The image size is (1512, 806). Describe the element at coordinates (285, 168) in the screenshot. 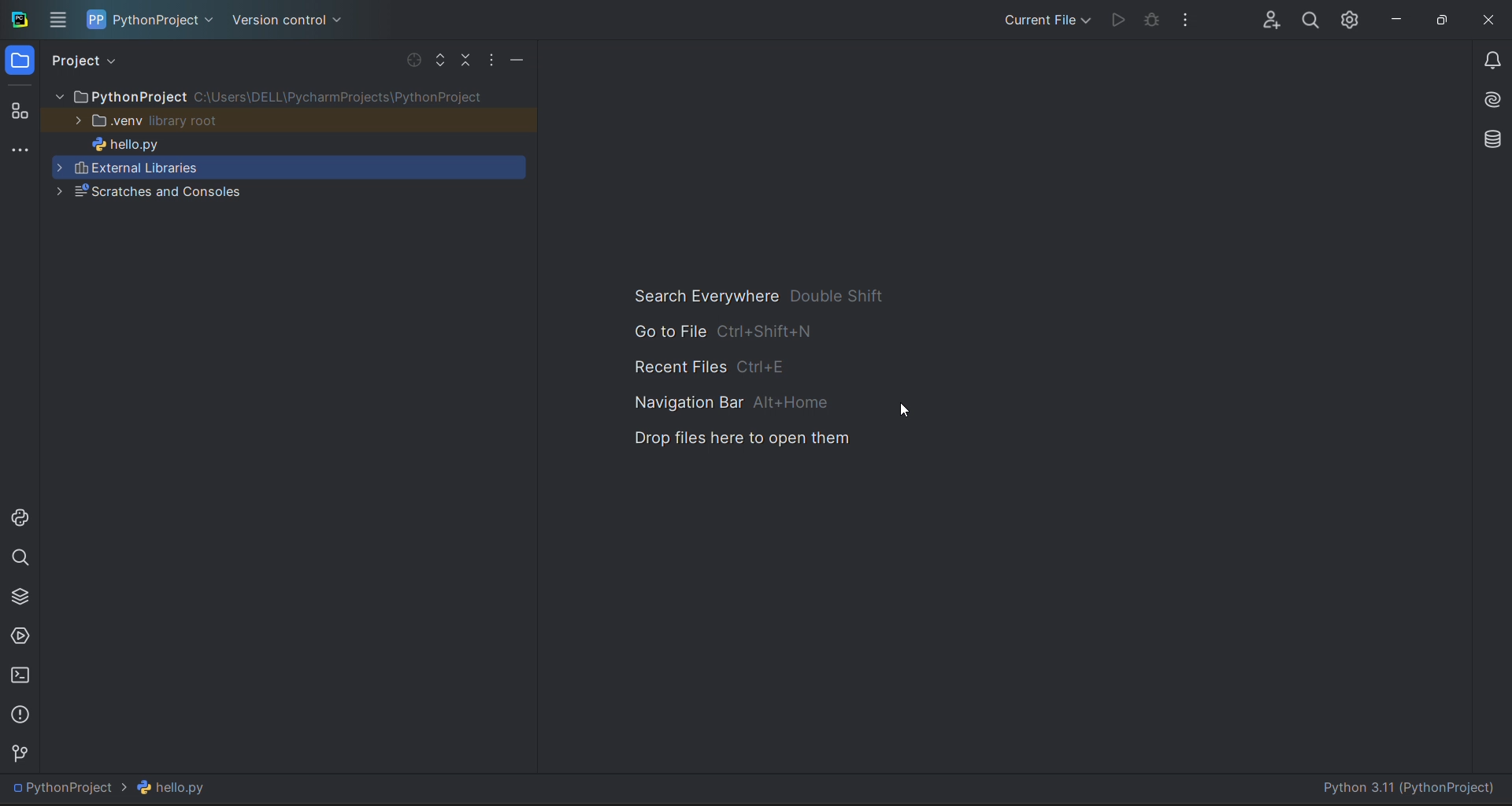

I see `External libraries` at that location.